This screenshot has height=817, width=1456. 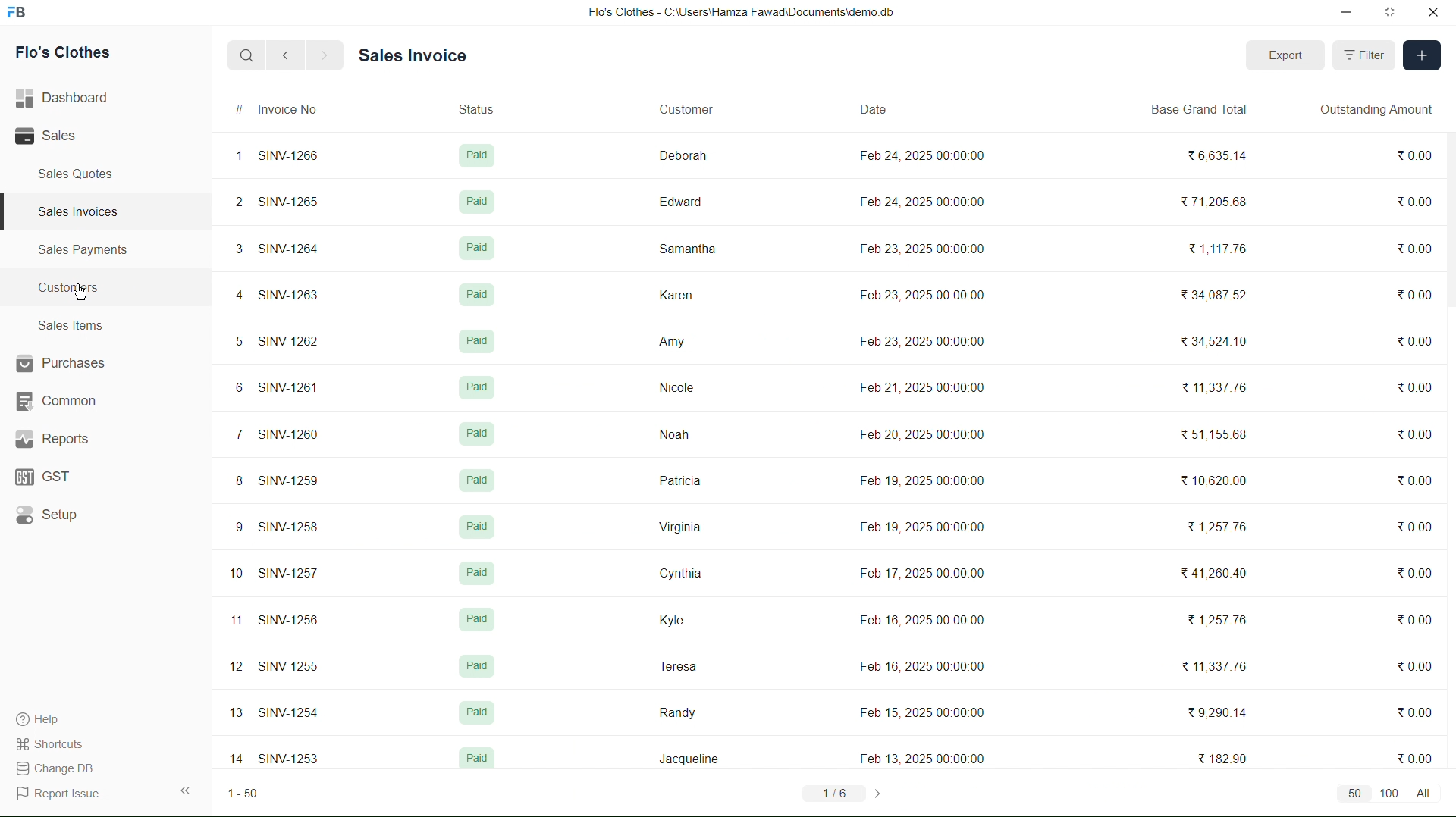 What do you see at coordinates (24, 14) in the screenshot?
I see `Frappebooks logo` at bounding box center [24, 14].